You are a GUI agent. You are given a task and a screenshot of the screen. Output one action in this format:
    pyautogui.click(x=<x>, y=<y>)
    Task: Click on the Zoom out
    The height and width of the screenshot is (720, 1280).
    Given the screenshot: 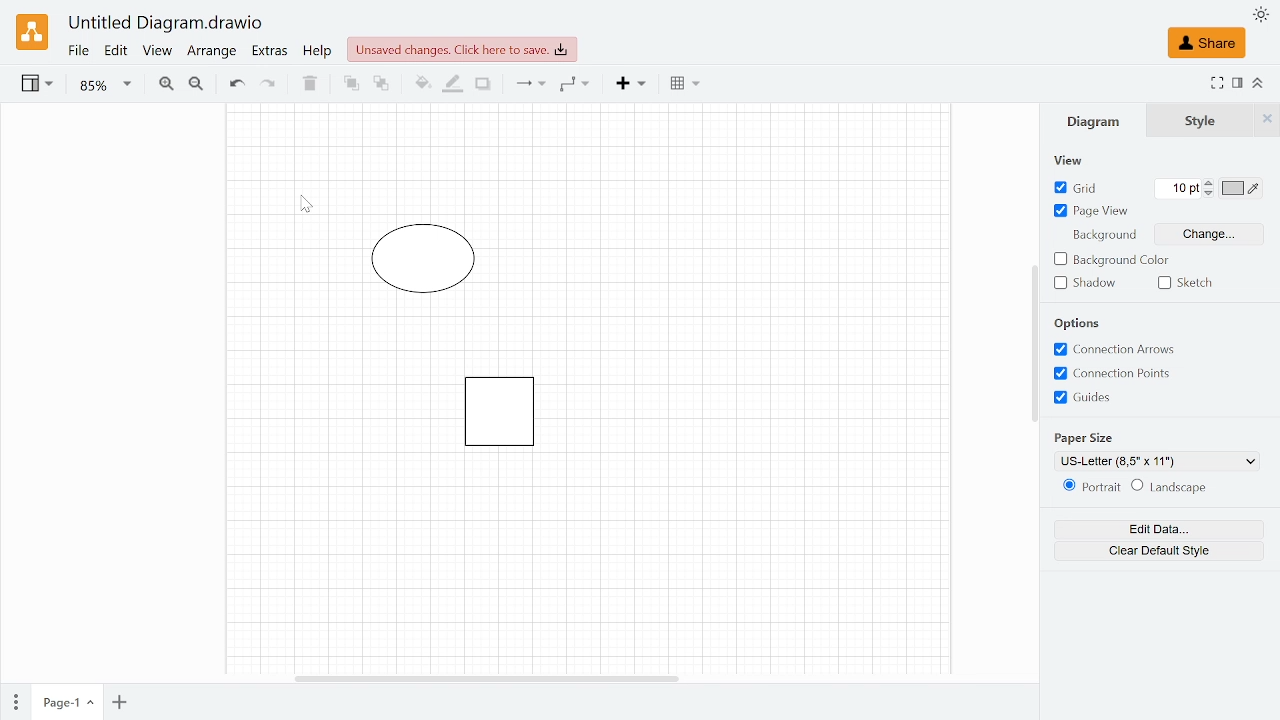 What is the action you would take?
    pyautogui.click(x=196, y=85)
    